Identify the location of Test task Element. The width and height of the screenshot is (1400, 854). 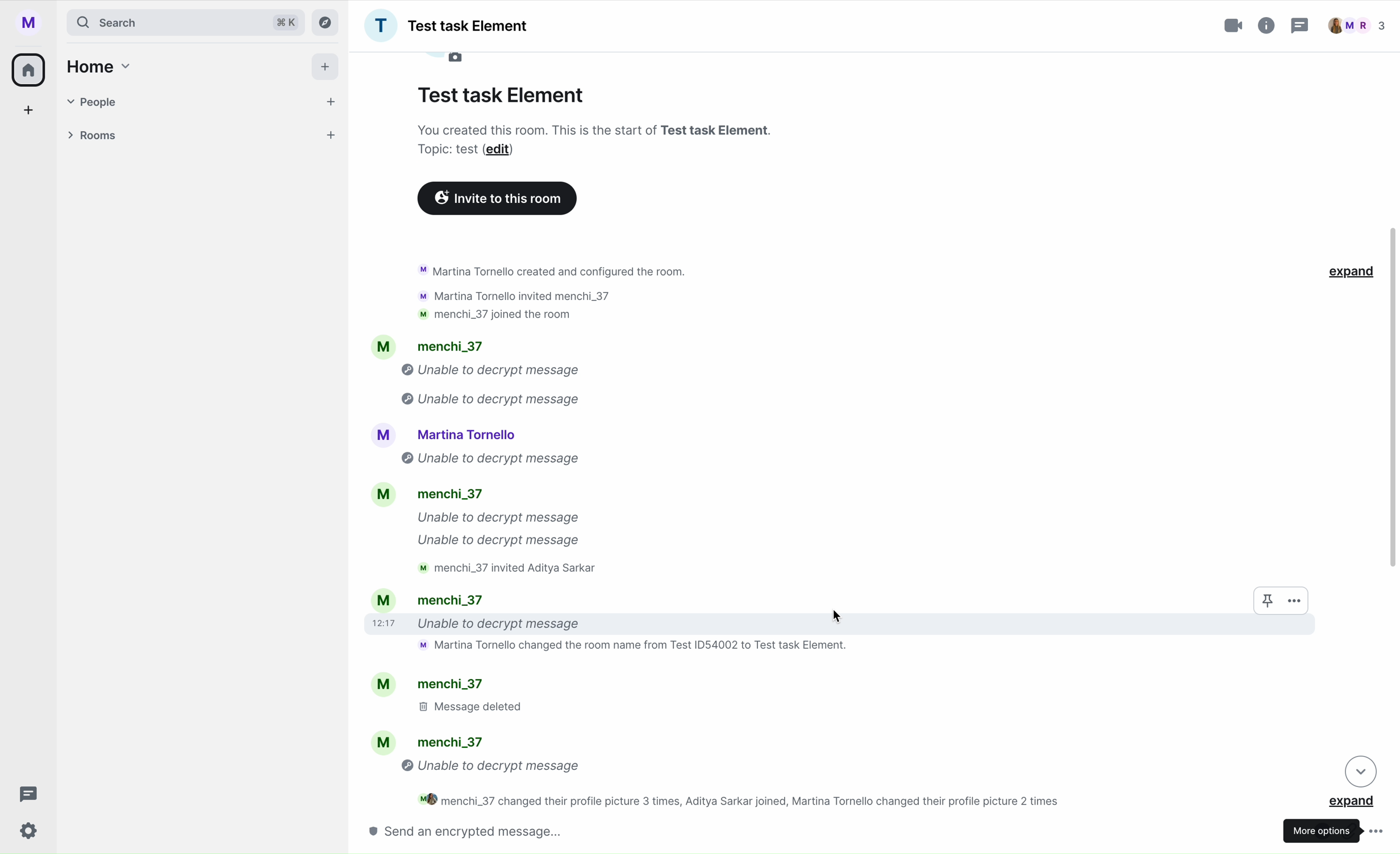
(446, 26).